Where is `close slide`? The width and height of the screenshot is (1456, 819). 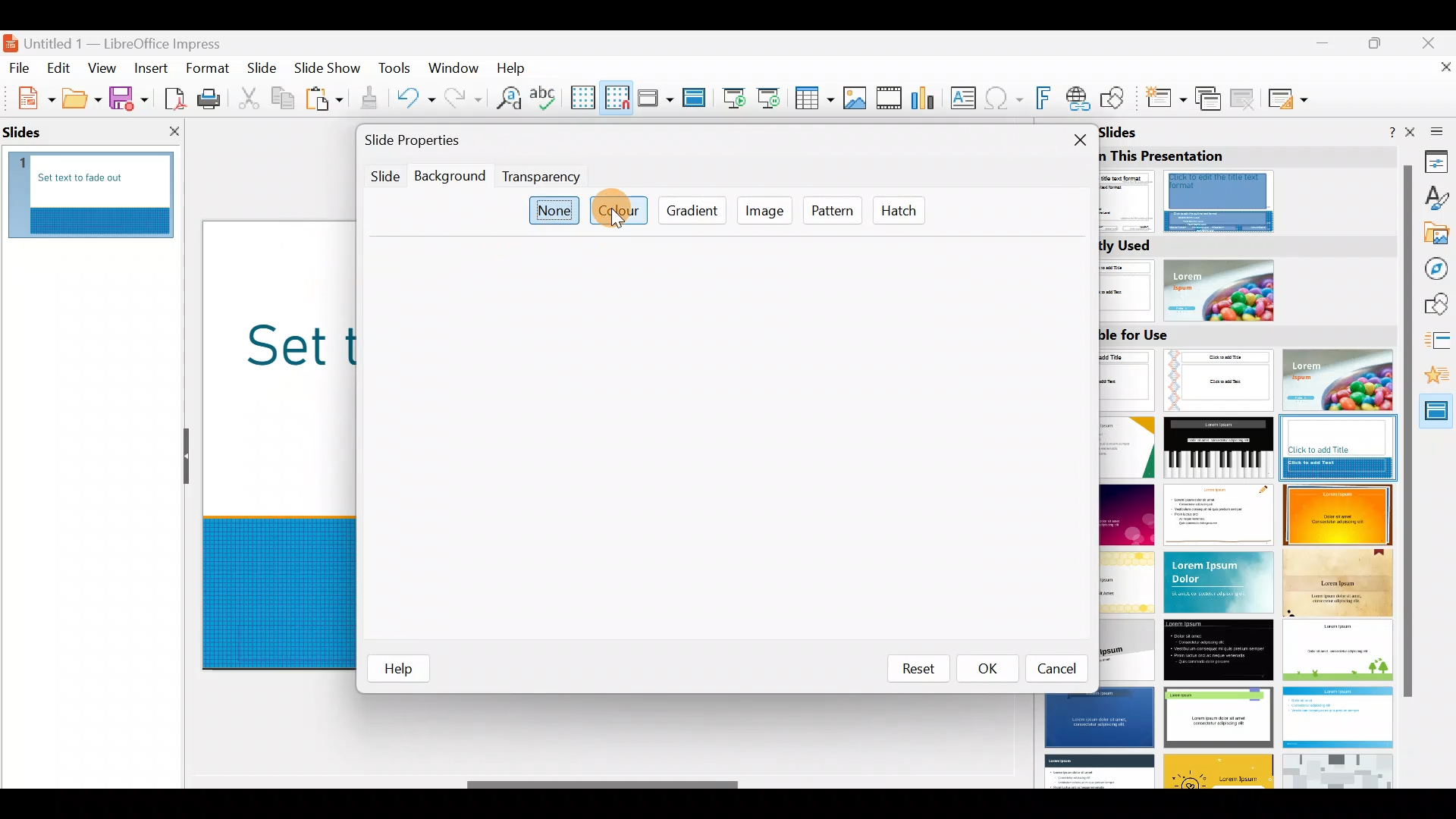 close slide is located at coordinates (174, 130).